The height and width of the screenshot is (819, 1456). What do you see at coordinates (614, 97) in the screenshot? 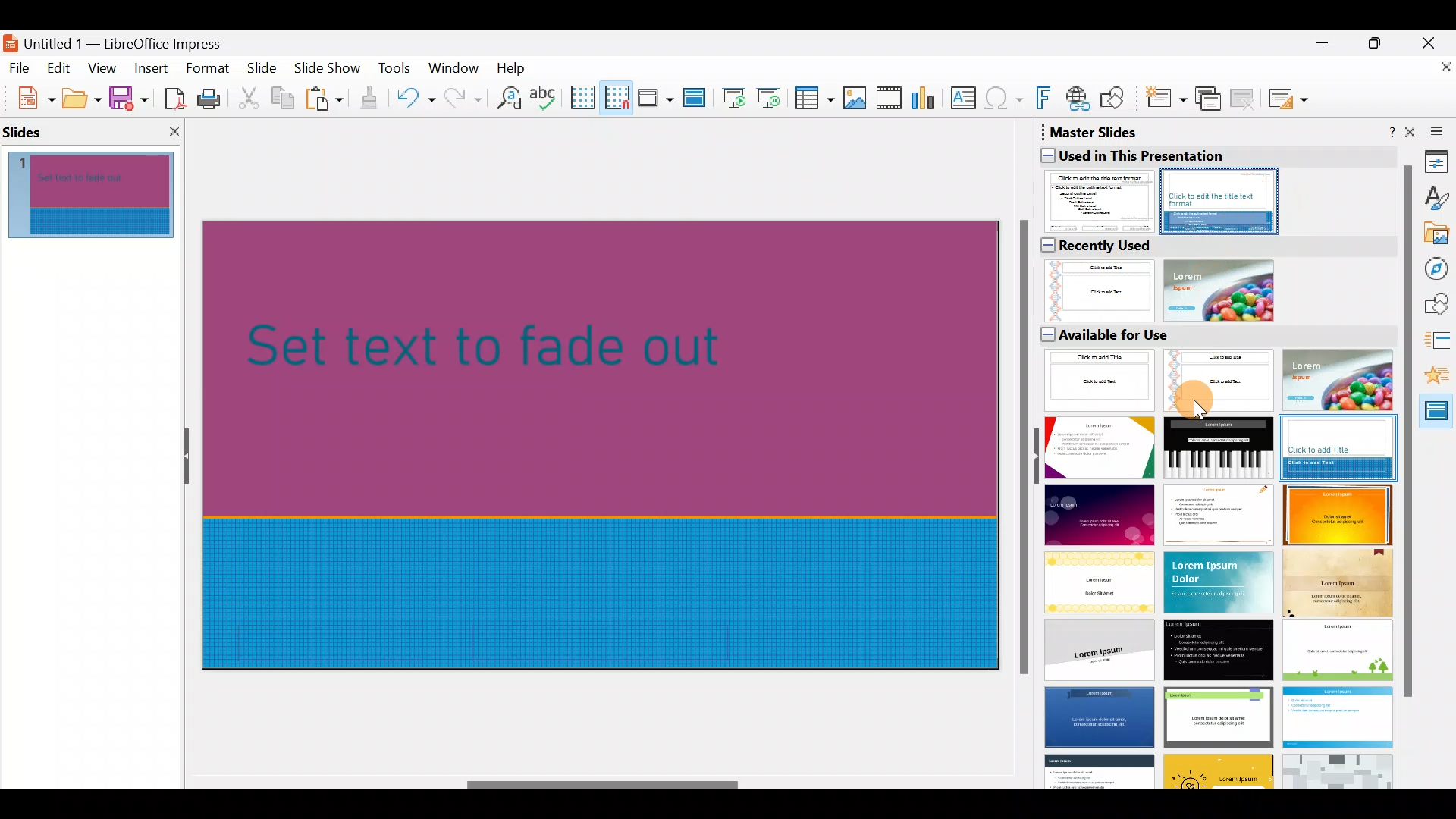
I see `Snap to grid` at bounding box center [614, 97].